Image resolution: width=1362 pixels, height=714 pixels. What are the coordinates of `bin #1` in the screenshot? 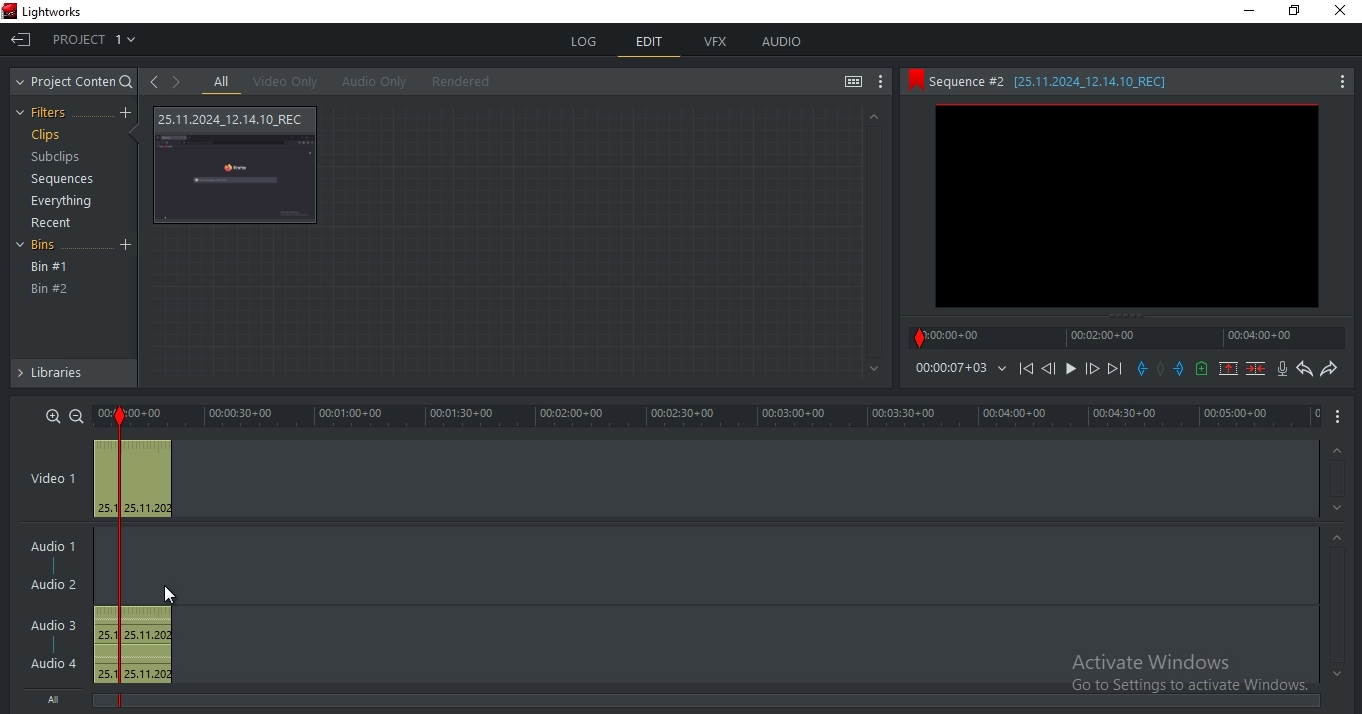 It's located at (50, 267).